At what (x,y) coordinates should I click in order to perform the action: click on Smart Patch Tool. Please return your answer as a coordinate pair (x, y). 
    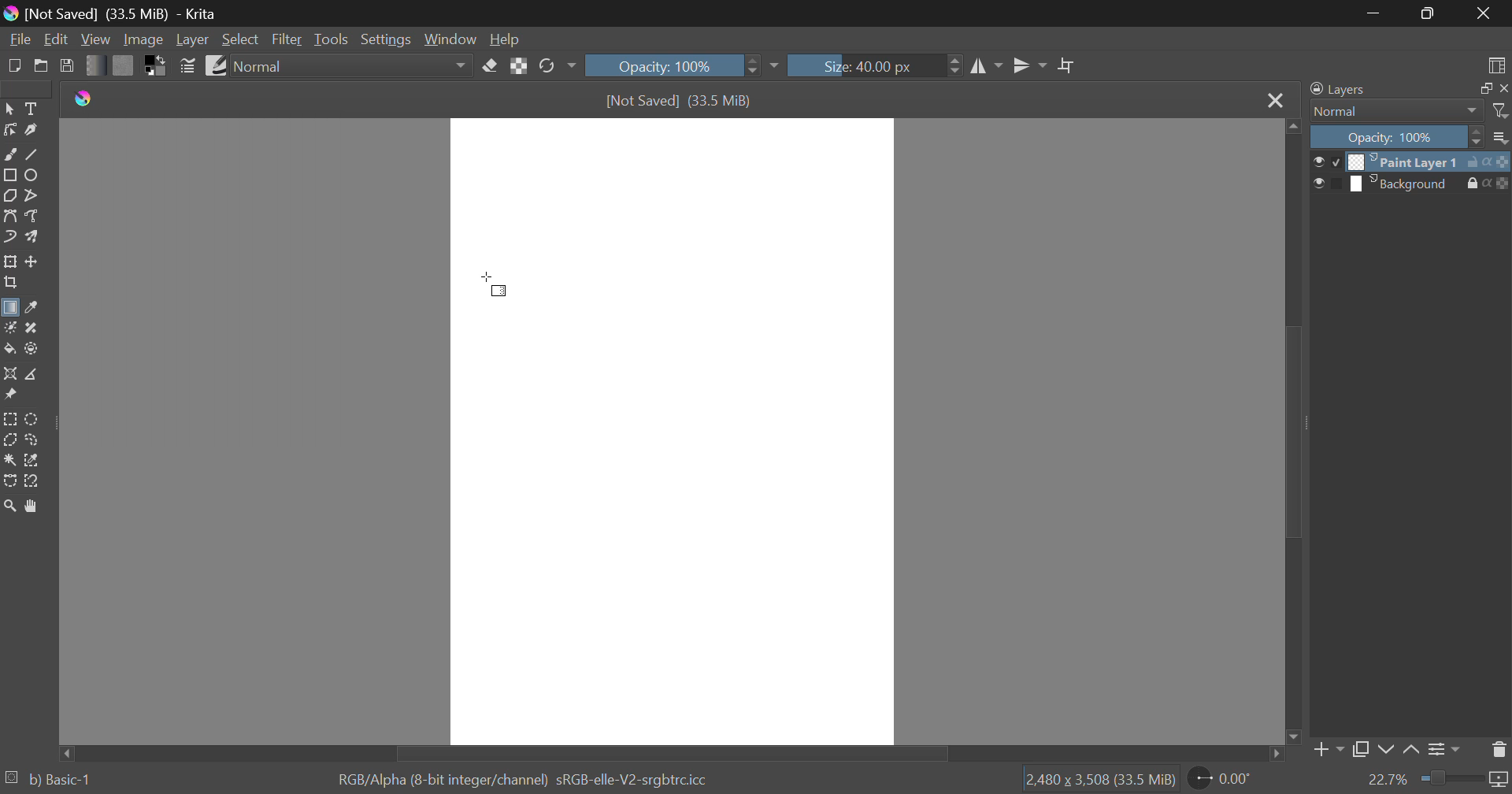
    Looking at the image, I should click on (32, 329).